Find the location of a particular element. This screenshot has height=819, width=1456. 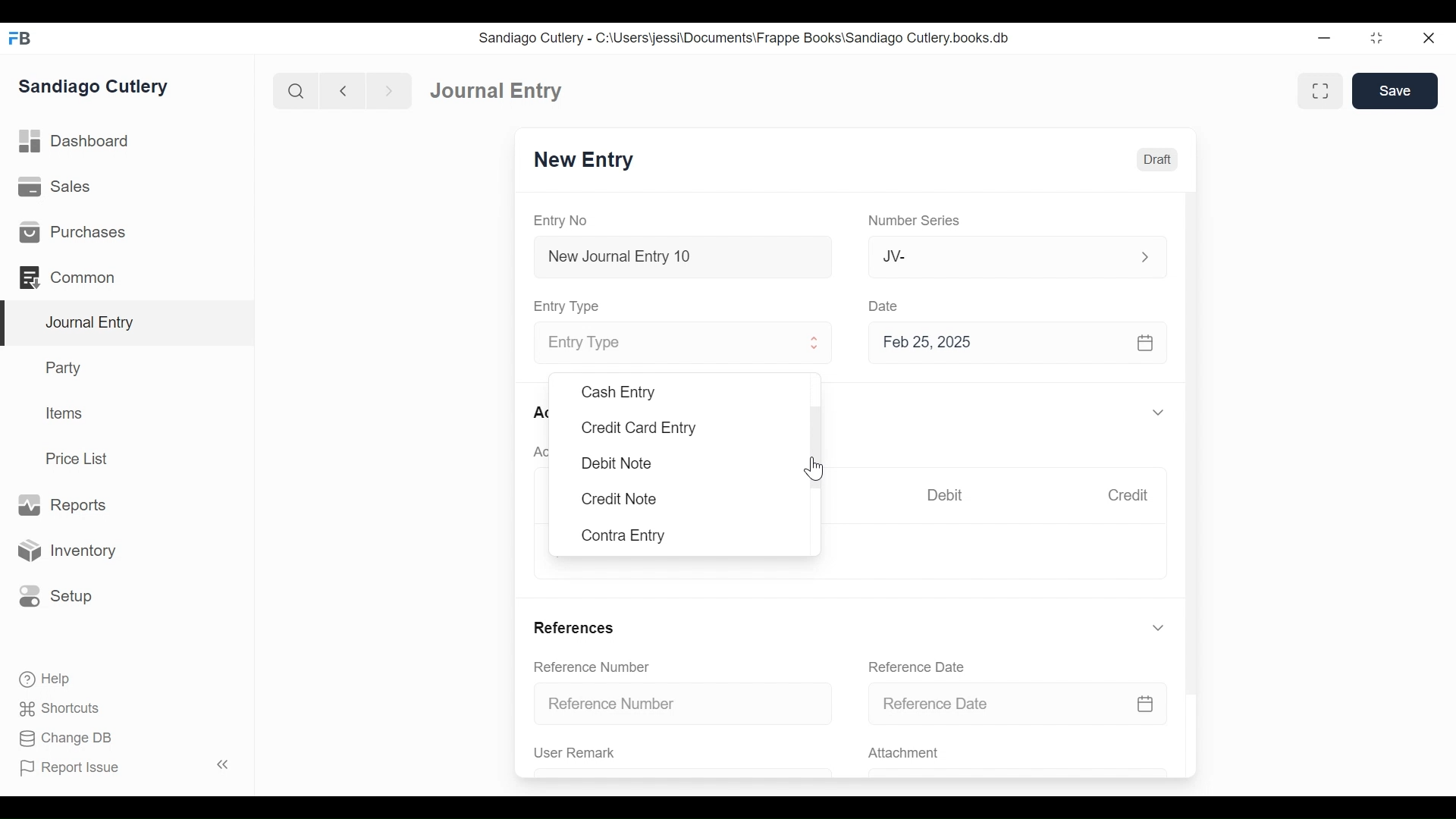

Setup is located at coordinates (56, 595).